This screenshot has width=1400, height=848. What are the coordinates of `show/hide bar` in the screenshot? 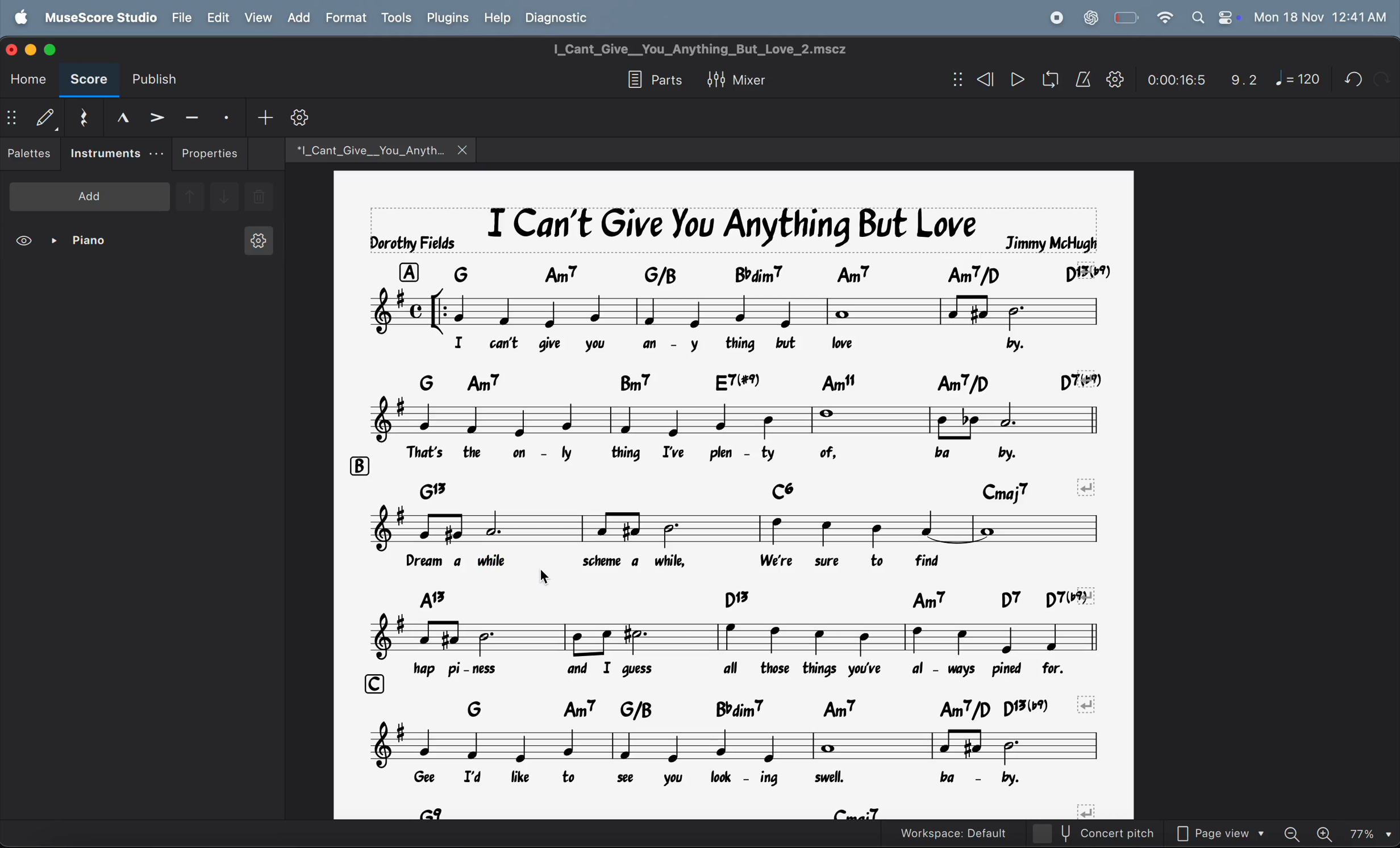 It's located at (16, 117).